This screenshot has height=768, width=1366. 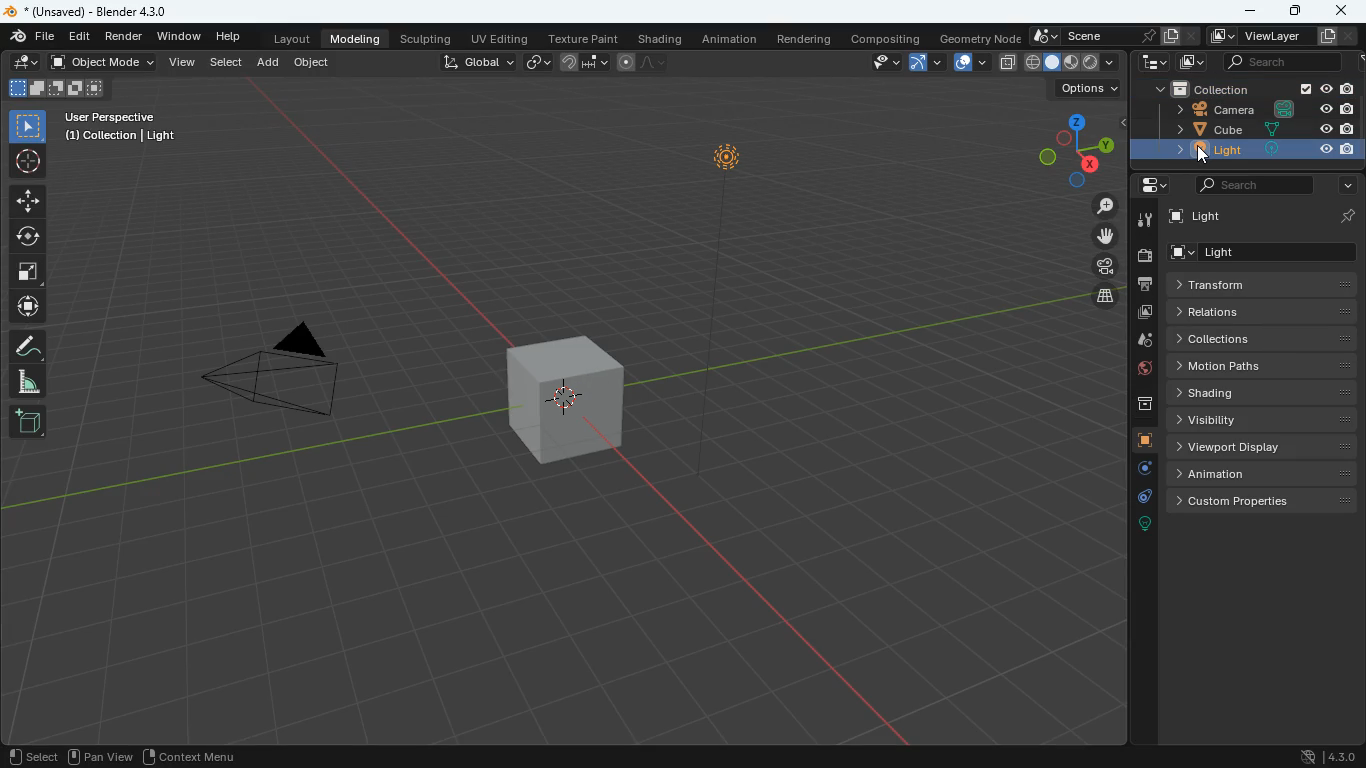 What do you see at coordinates (105, 63) in the screenshot?
I see `object mode` at bounding box center [105, 63].